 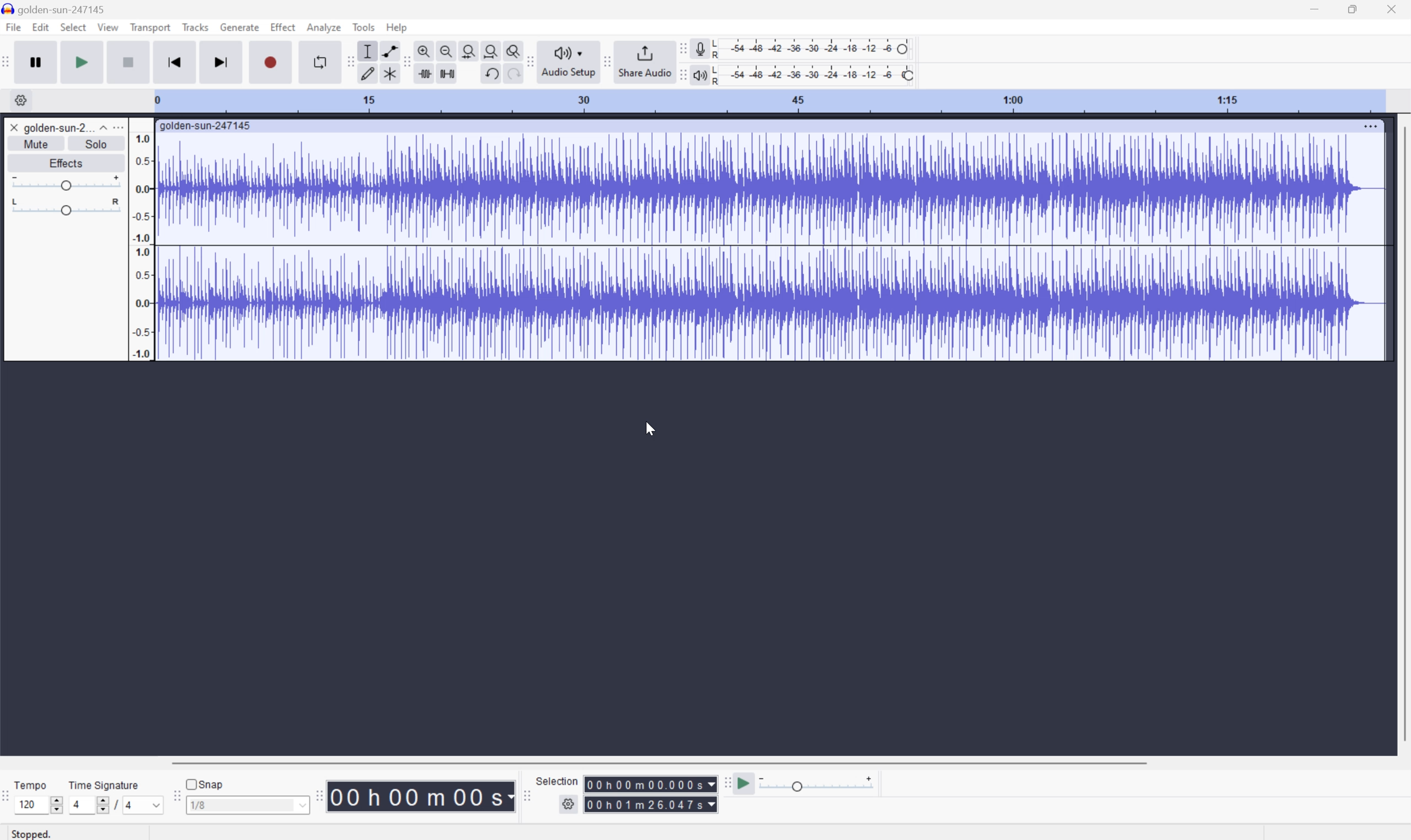 What do you see at coordinates (680, 76) in the screenshot?
I see `Audacity playback meter toolbar` at bounding box center [680, 76].